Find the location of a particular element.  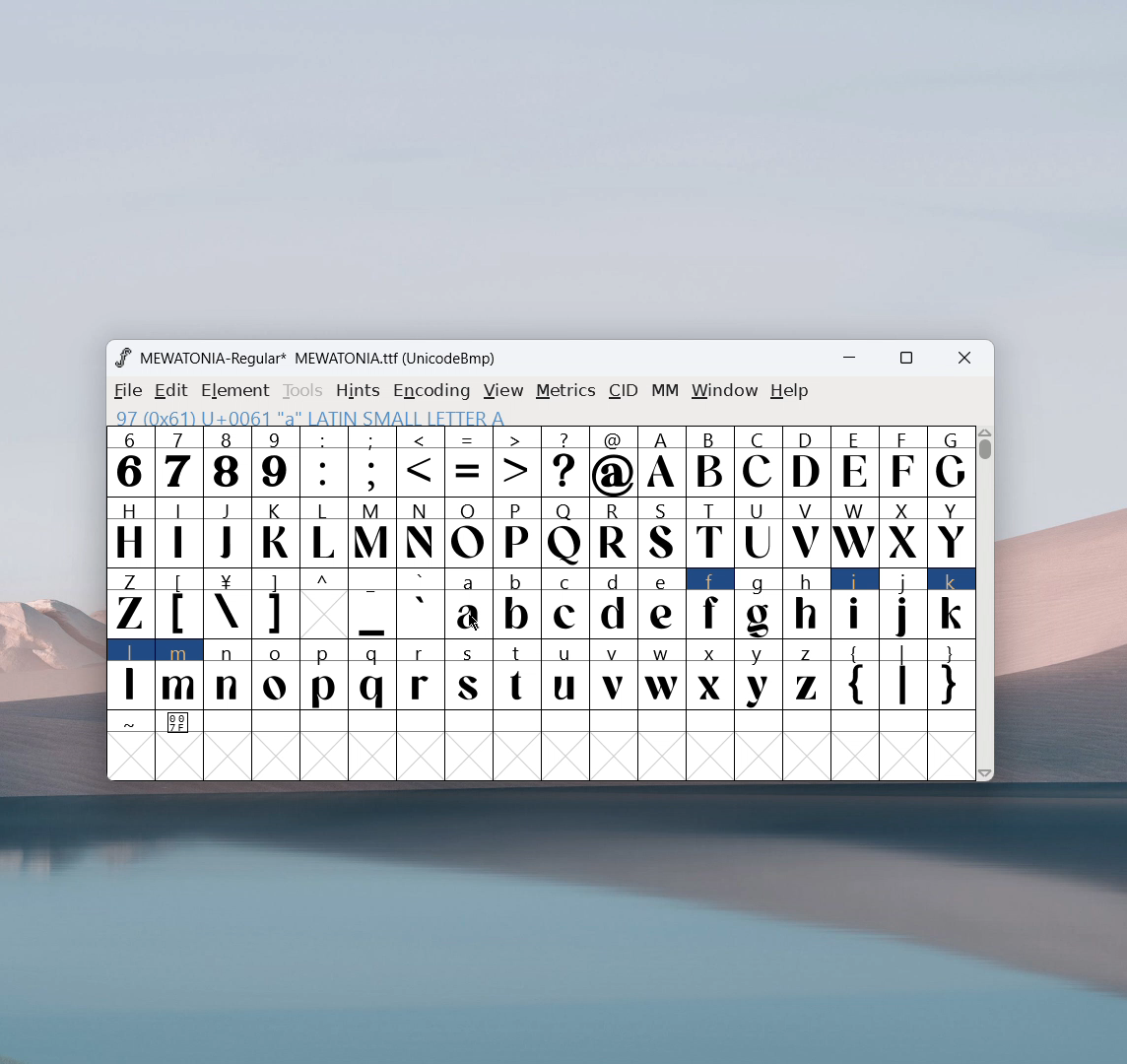

g is located at coordinates (759, 602).